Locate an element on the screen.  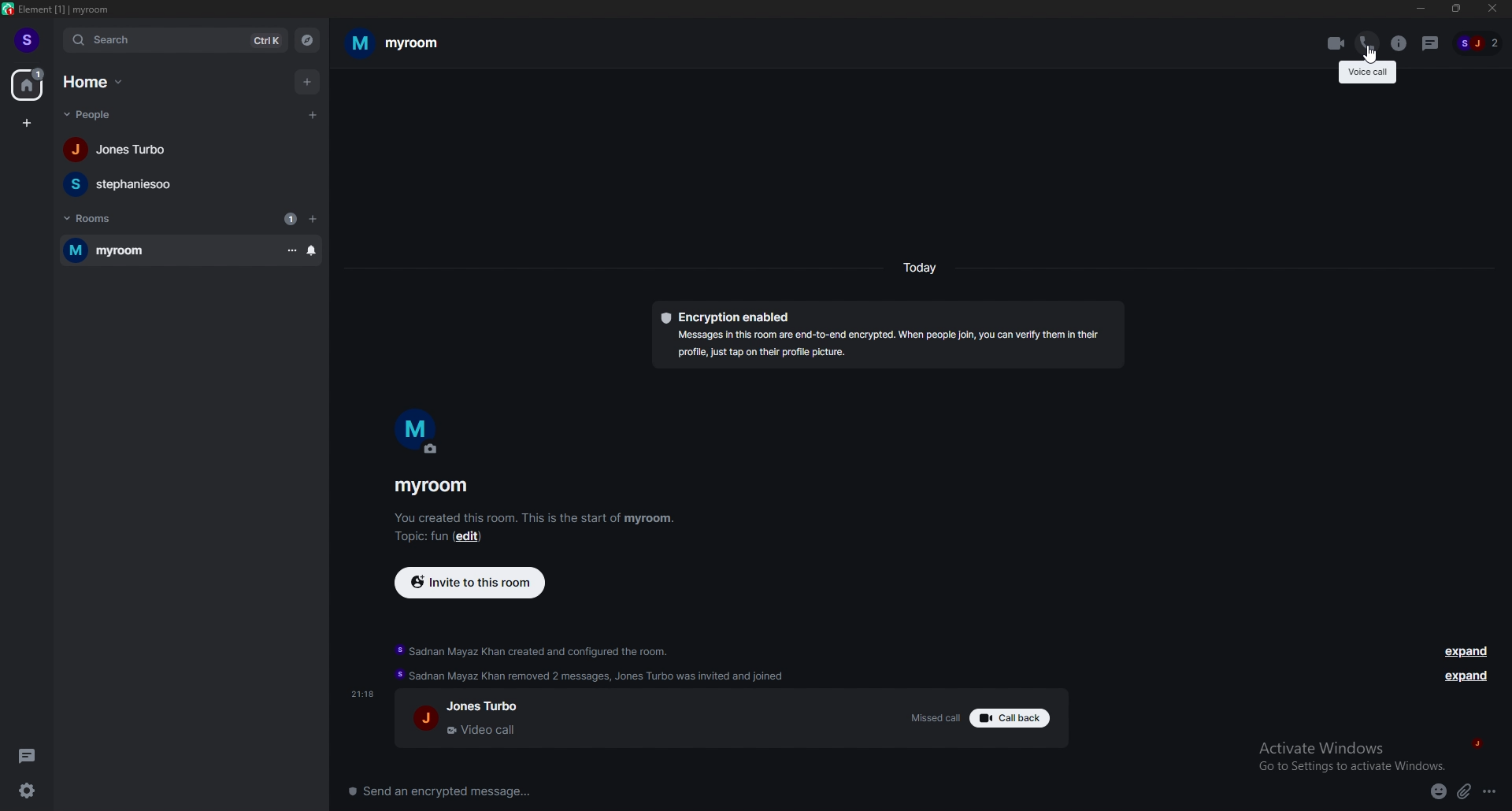
search is located at coordinates (125, 40).